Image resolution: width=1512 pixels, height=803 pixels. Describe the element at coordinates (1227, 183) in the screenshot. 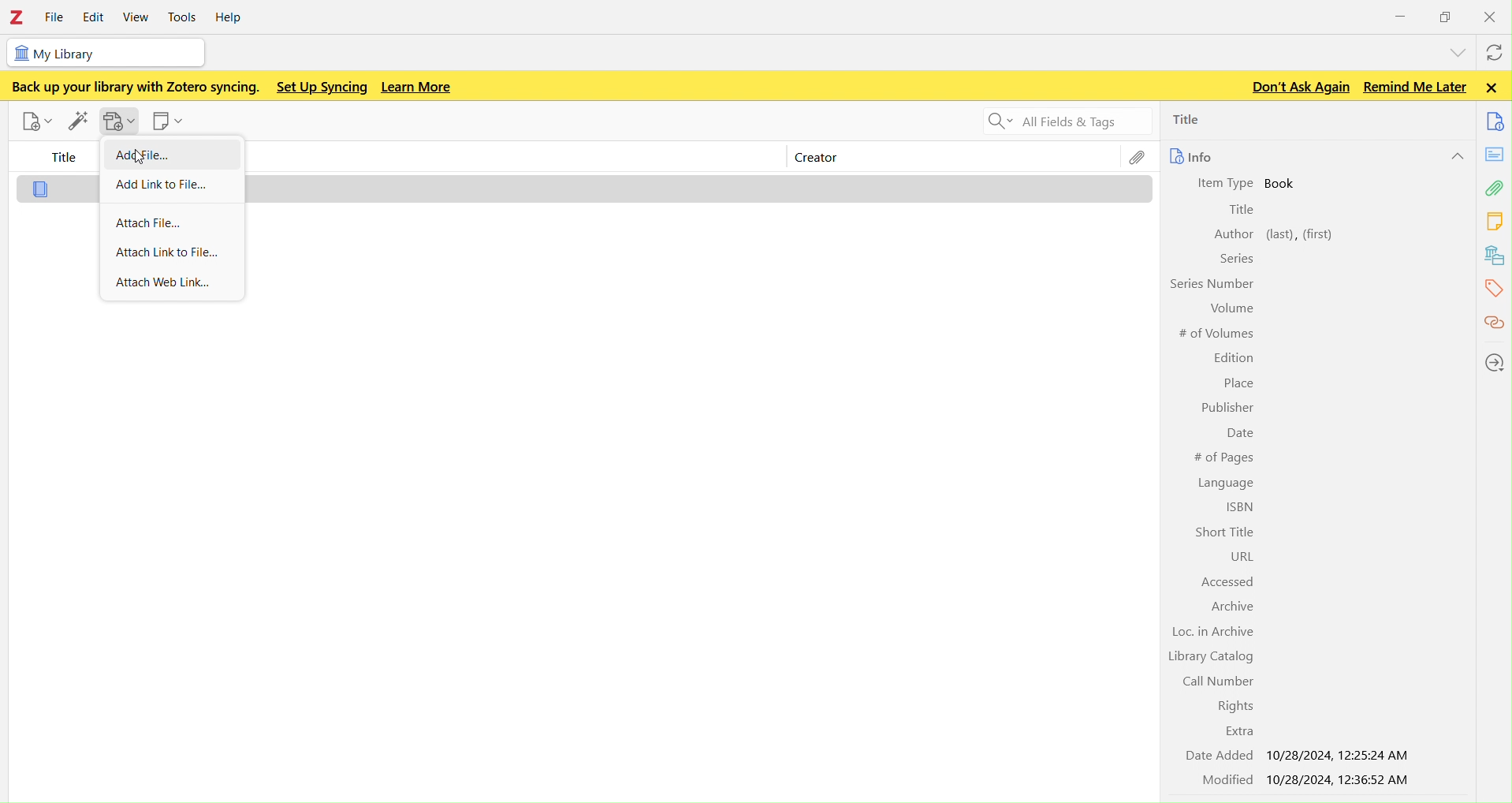

I see `Item Type` at that location.